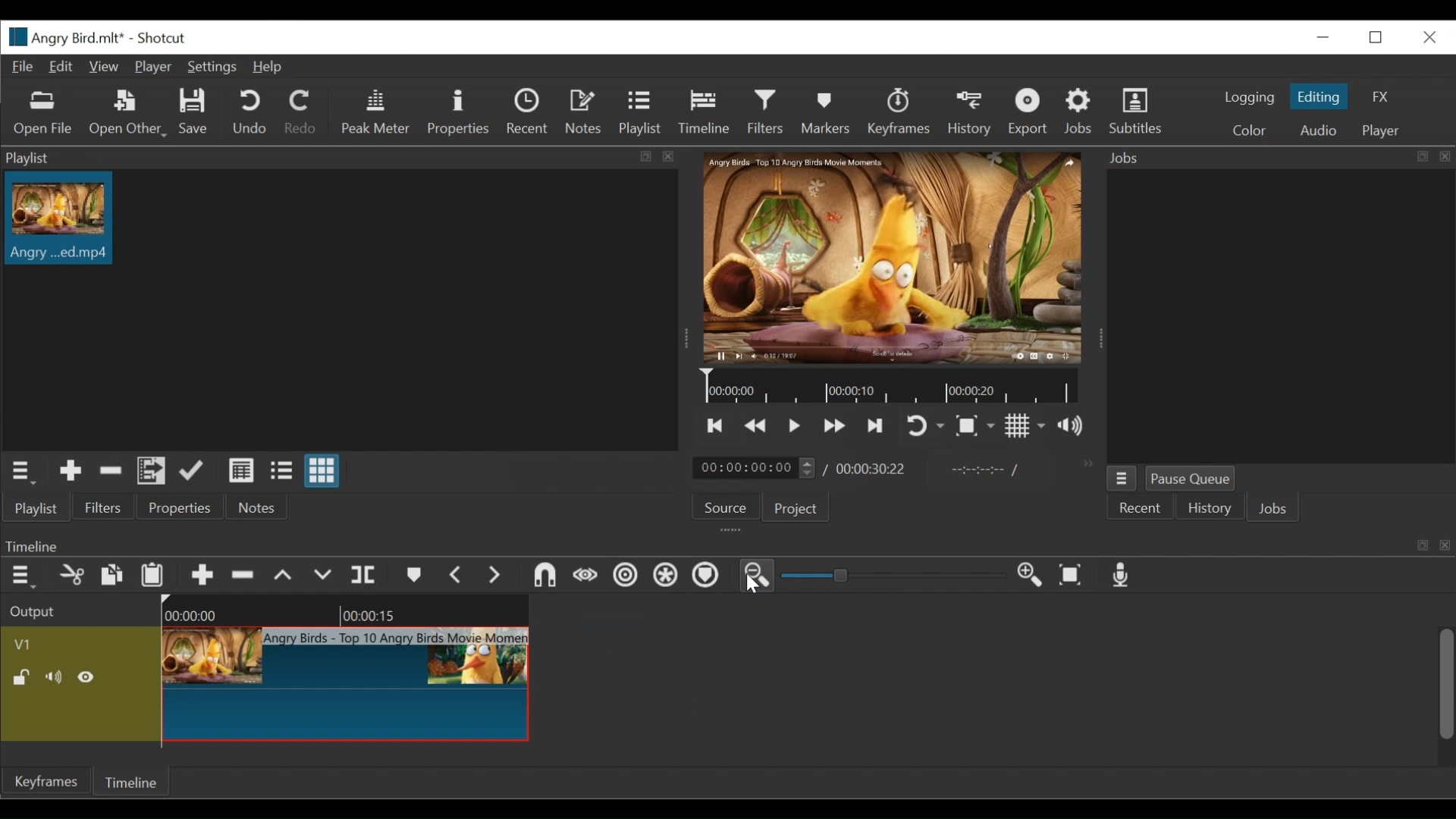 The image size is (1456, 819). Describe the element at coordinates (289, 576) in the screenshot. I see `up` at that location.